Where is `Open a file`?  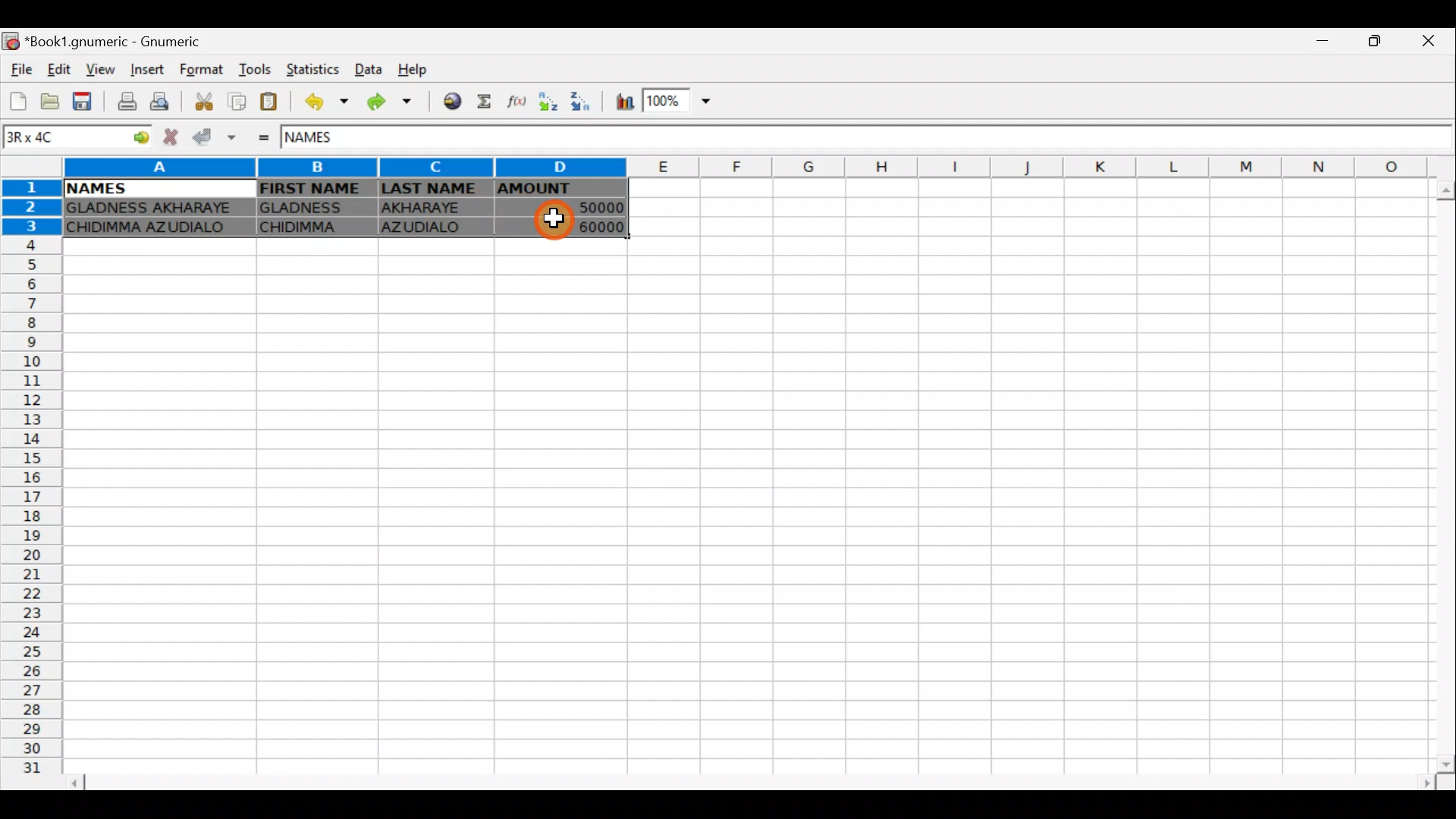 Open a file is located at coordinates (52, 101).